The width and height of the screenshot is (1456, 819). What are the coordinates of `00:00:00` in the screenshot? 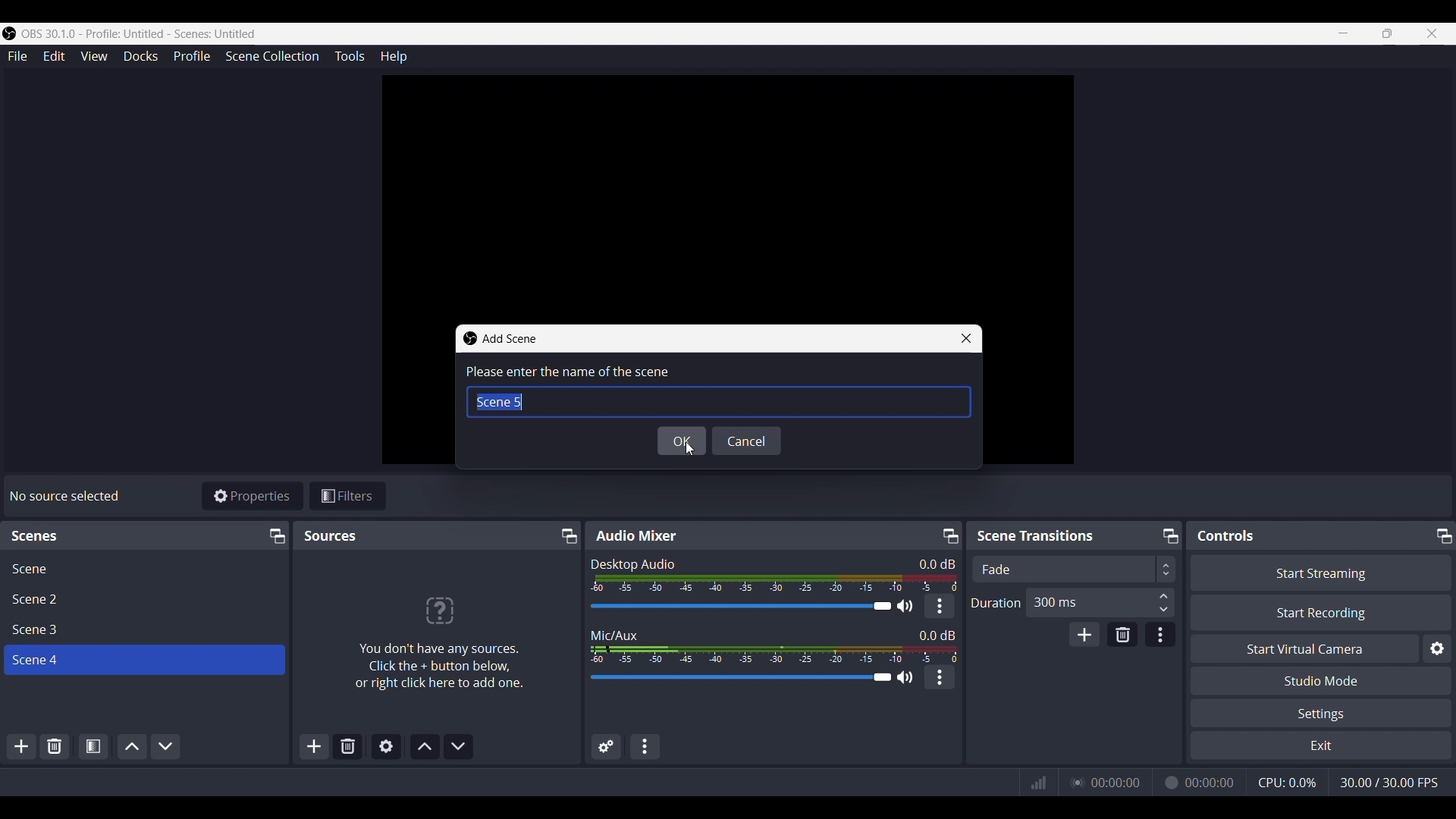 It's located at (1116, 781).